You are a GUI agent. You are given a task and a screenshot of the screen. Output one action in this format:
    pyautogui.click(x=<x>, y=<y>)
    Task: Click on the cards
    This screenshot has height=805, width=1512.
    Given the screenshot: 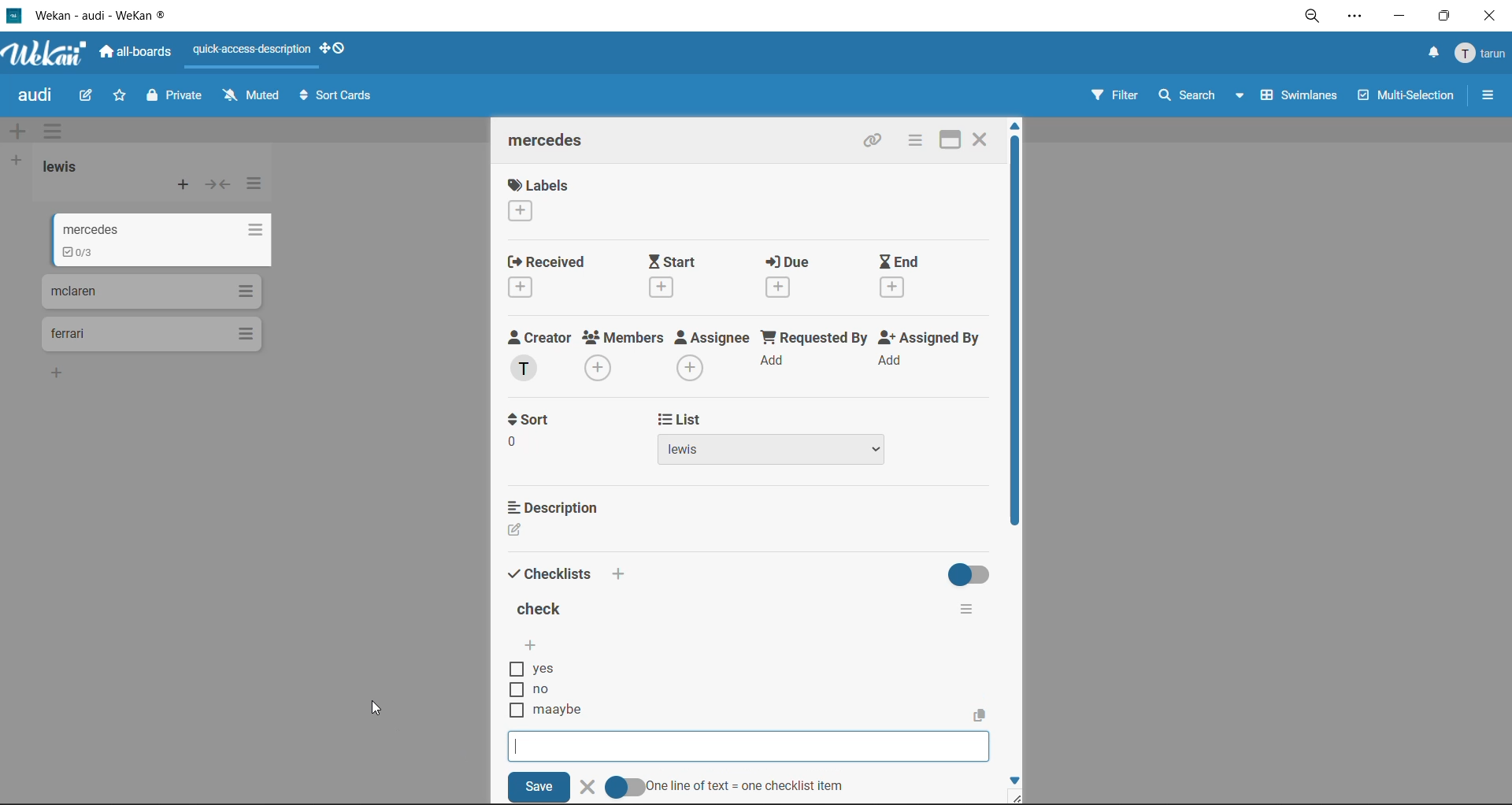 What is the action you would take?
    pyautogui.click(x=152, y=335)
    